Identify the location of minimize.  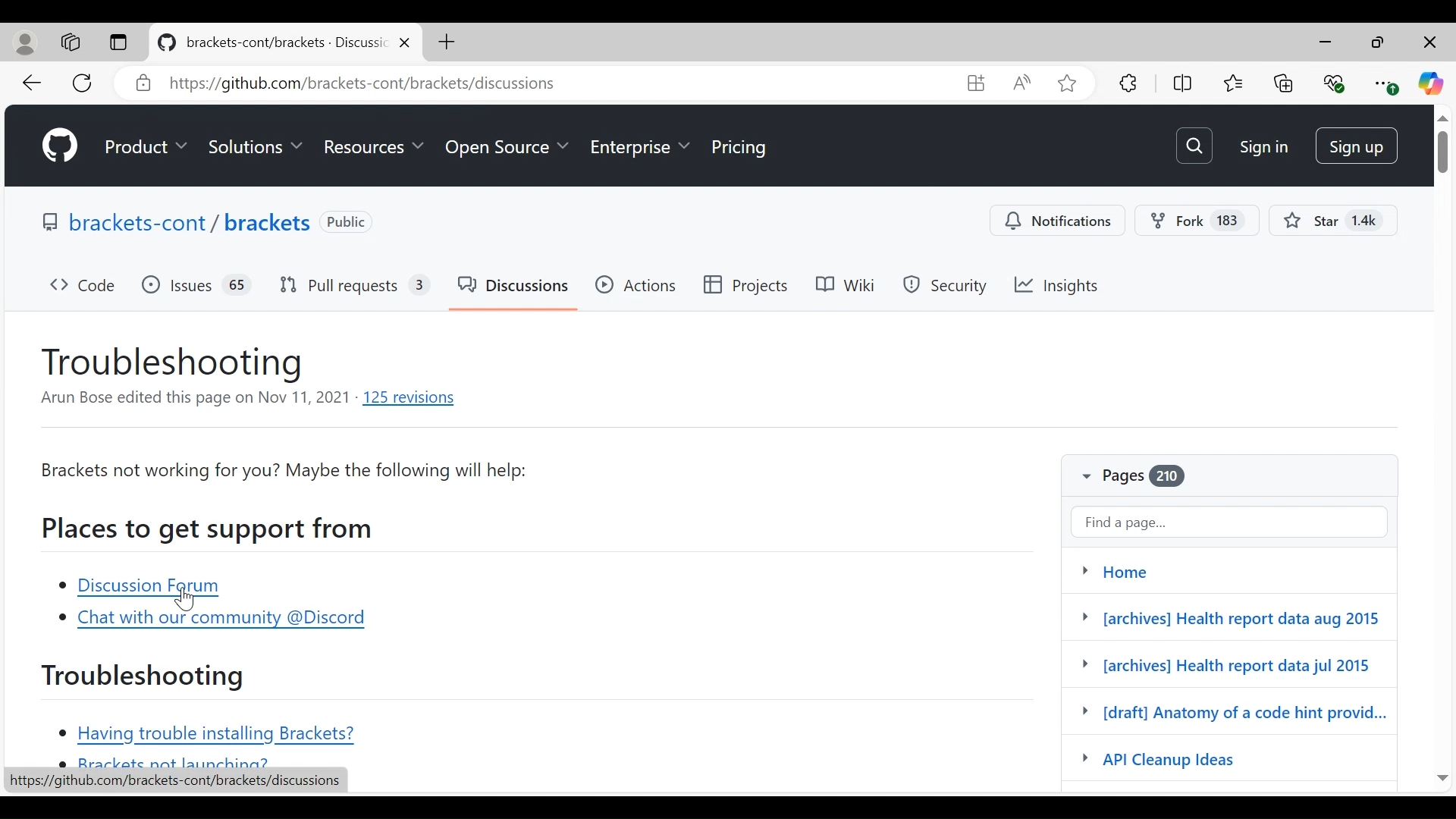
(1380, 44).